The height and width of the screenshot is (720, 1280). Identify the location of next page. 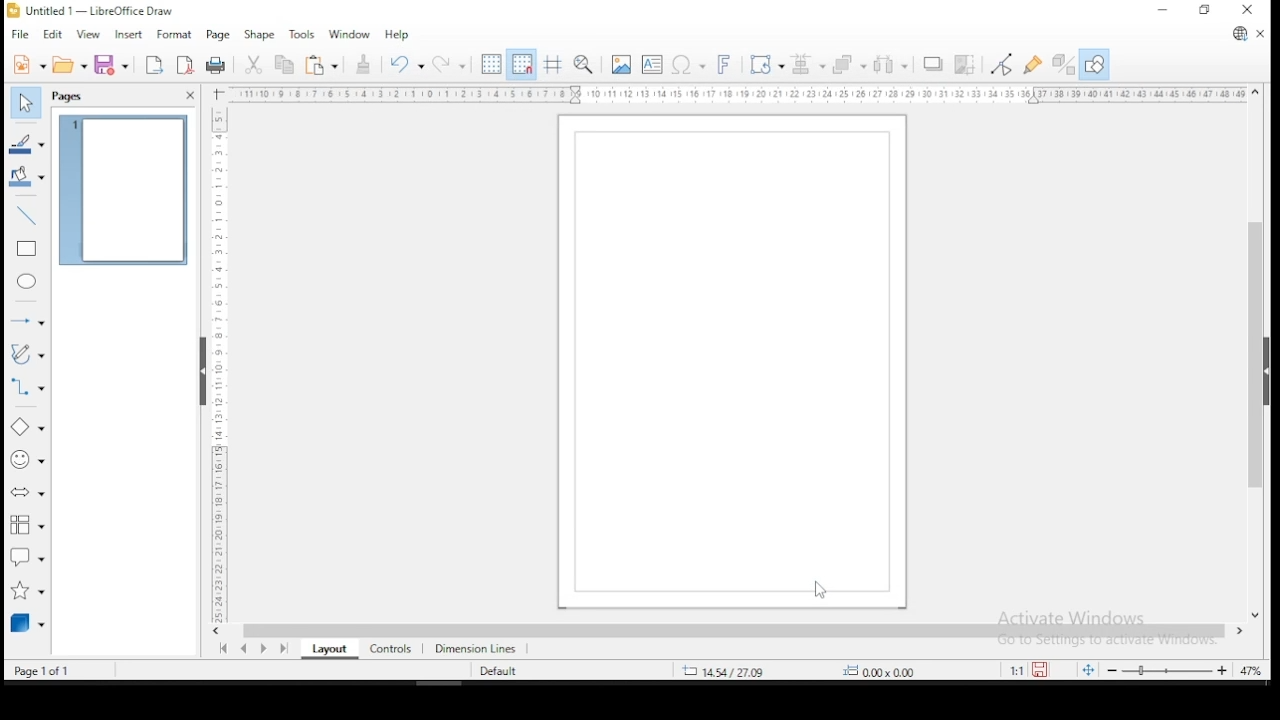
(264, 650).